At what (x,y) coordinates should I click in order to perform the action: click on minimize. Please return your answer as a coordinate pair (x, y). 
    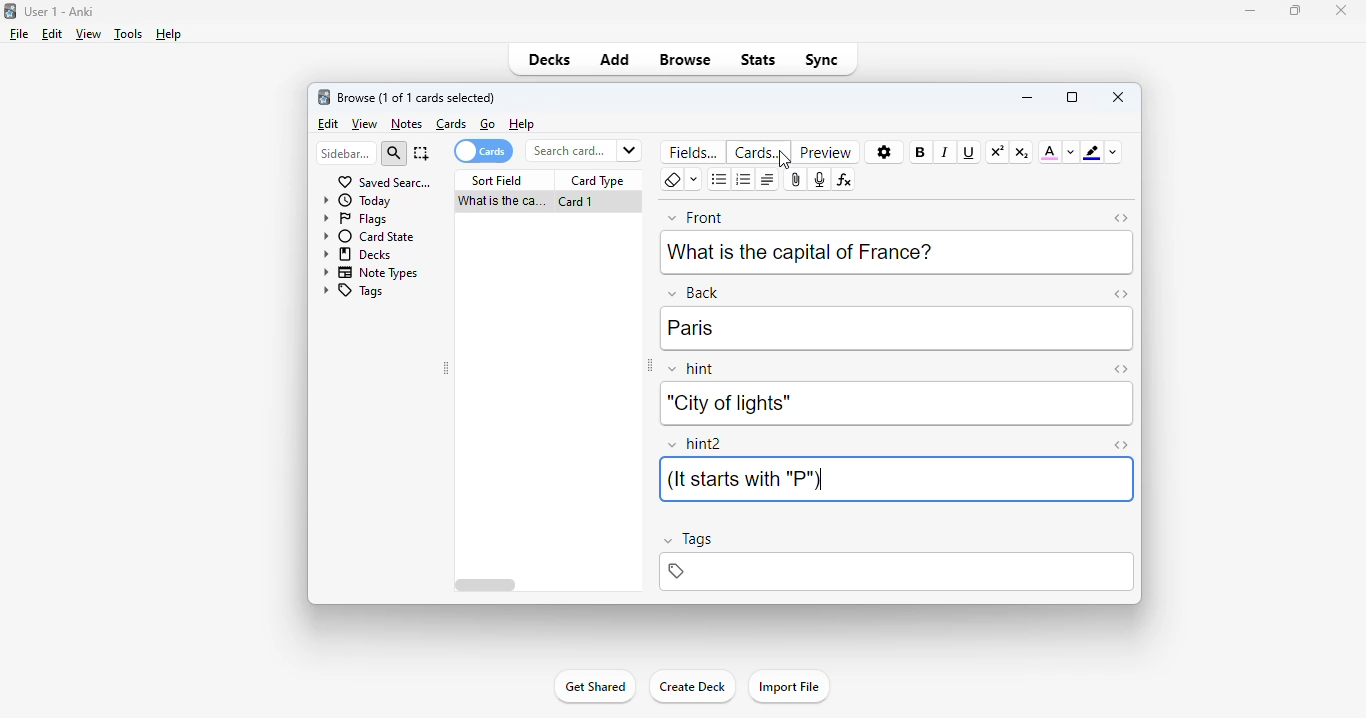
    Looking at the image, I should click on (1027, 96).